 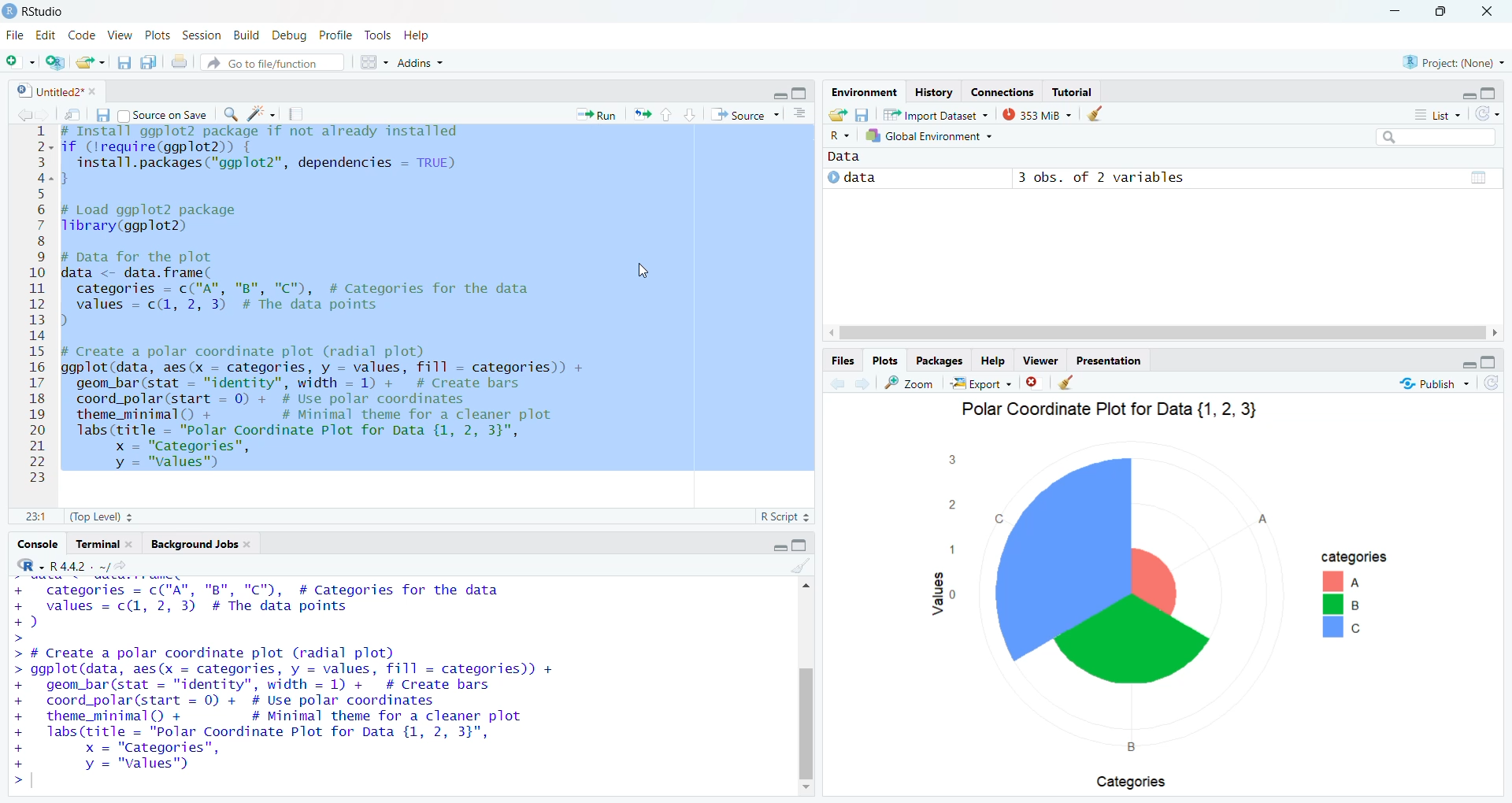 What do you see at coordinates (840, 361) in the screenshot?
I see `Files` at bounding box center [840, 361].